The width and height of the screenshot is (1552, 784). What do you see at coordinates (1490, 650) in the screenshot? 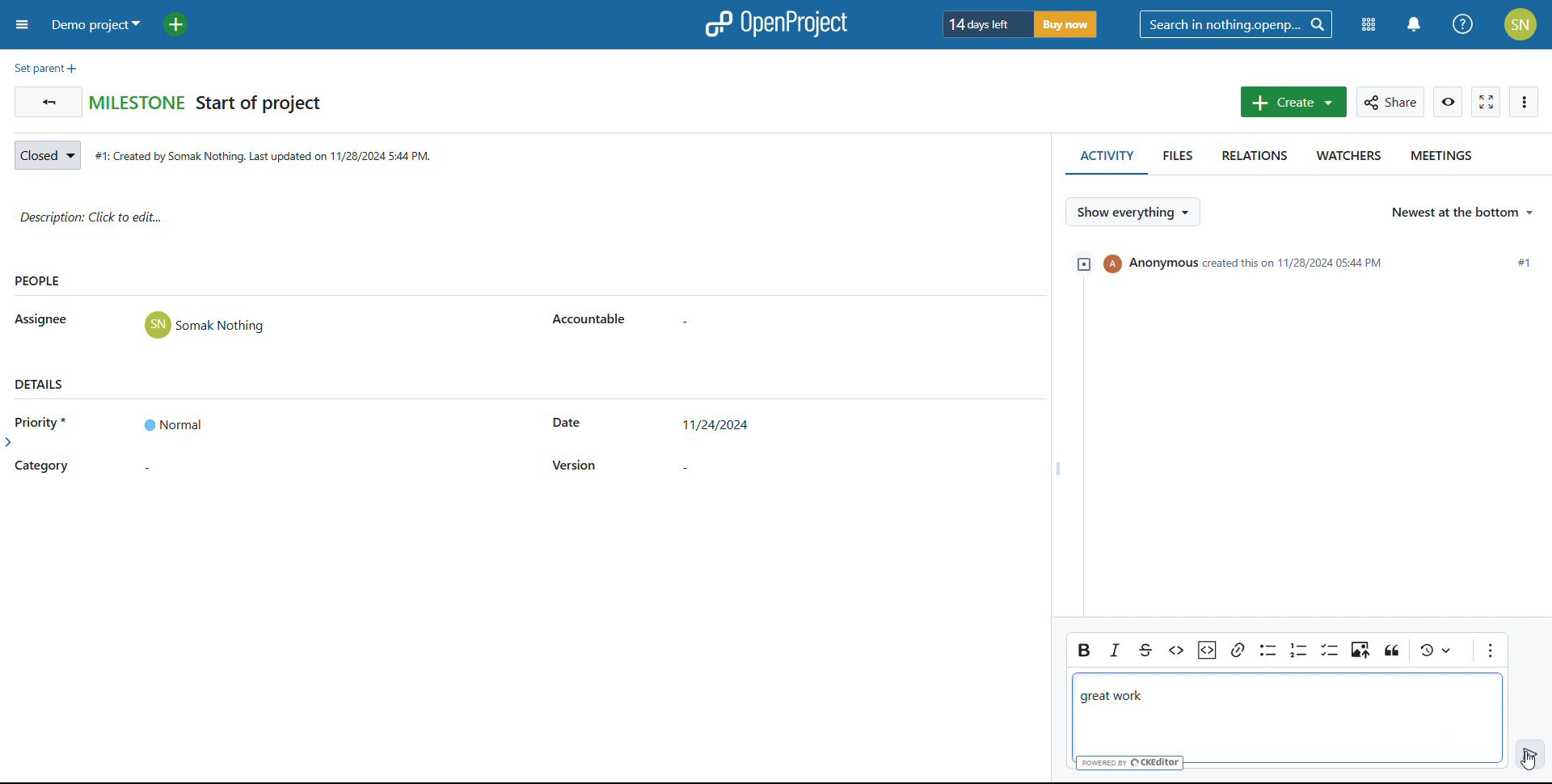
I see `more` at bounding box center [1490, 650].